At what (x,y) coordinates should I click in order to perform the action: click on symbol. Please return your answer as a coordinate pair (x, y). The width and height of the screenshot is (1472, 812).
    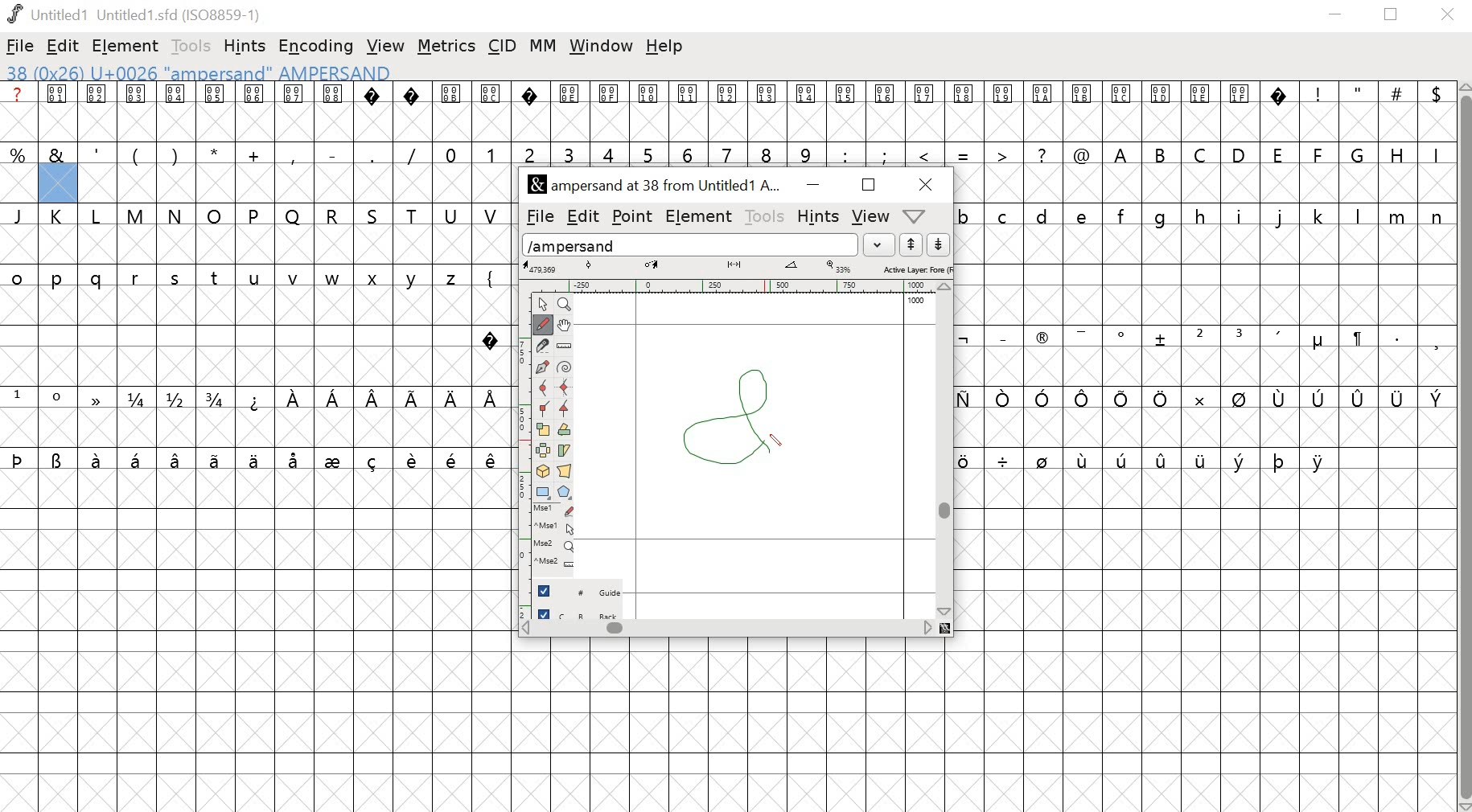
    Looking at the image, I should click on (376, 399).